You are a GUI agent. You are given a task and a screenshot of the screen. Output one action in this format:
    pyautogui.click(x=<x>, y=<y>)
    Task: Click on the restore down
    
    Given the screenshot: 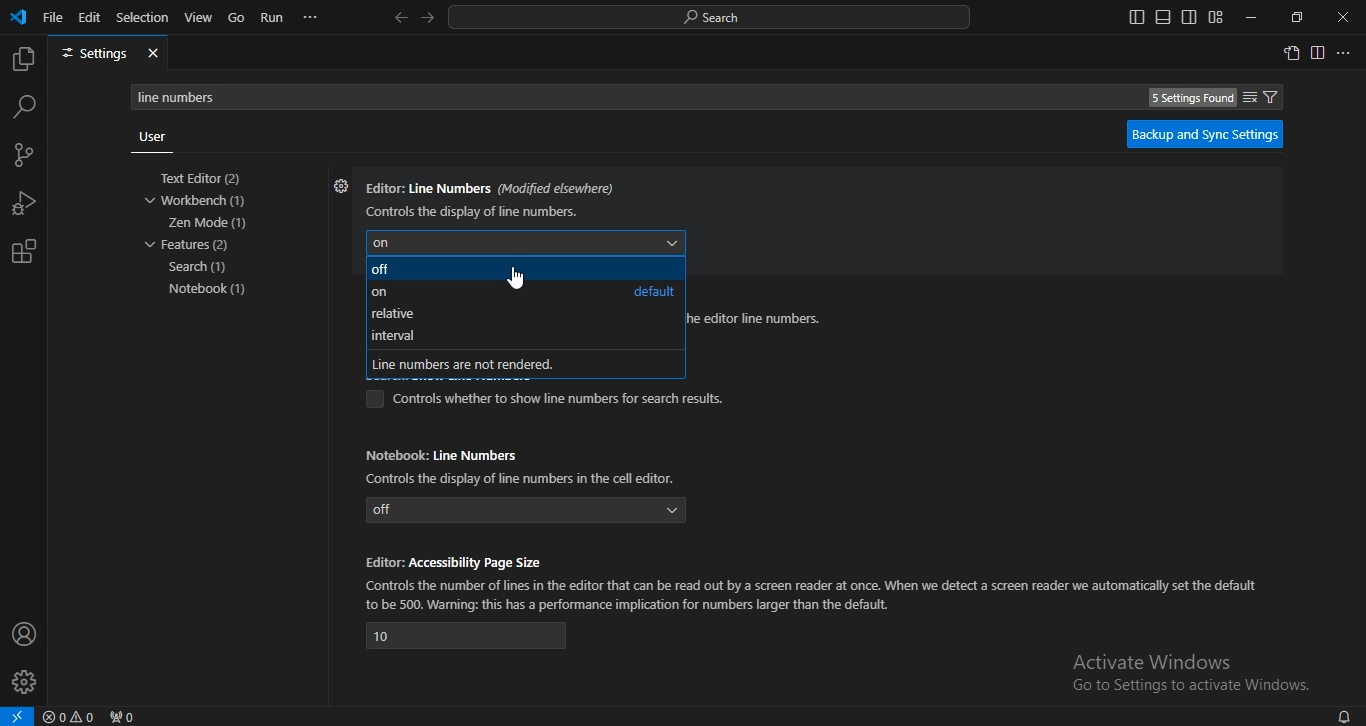 What is the action you would take?
    pyautogui.click(x=1297, y=17)
    